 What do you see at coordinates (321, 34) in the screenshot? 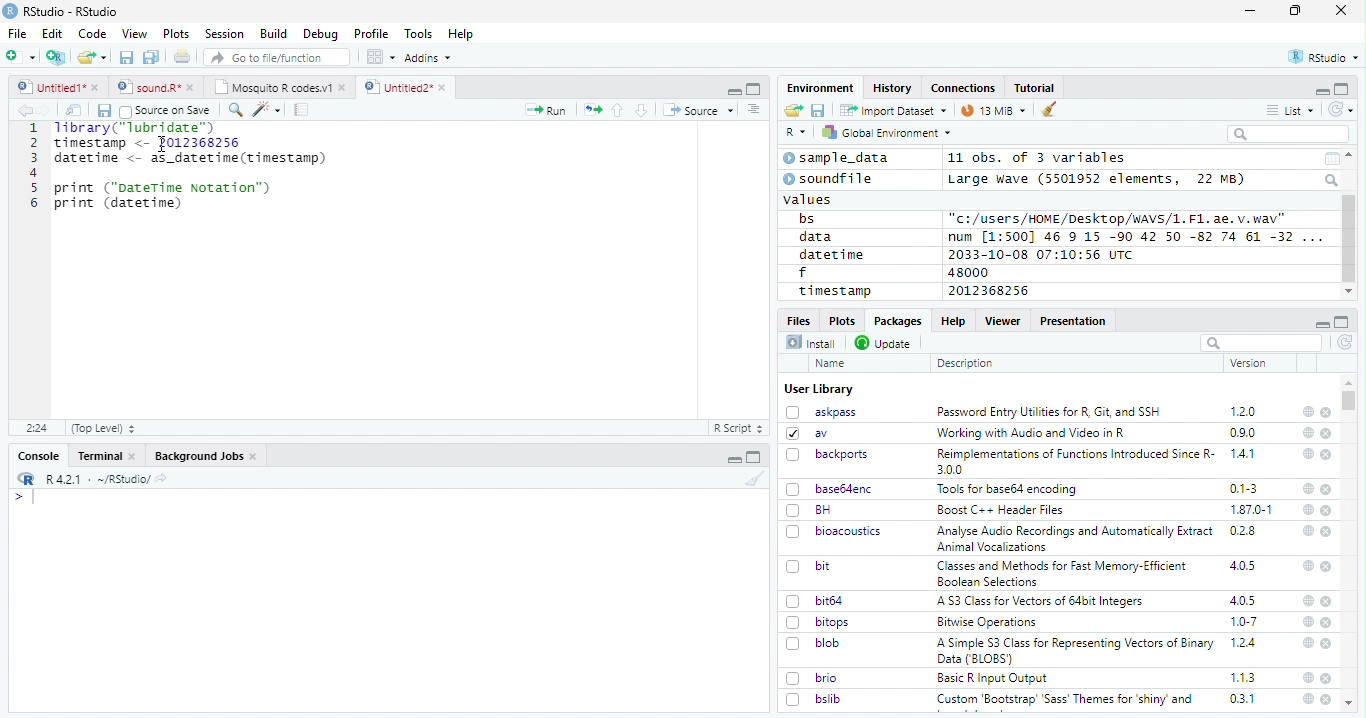
I see `Debug` at bounding box center [321, 34].